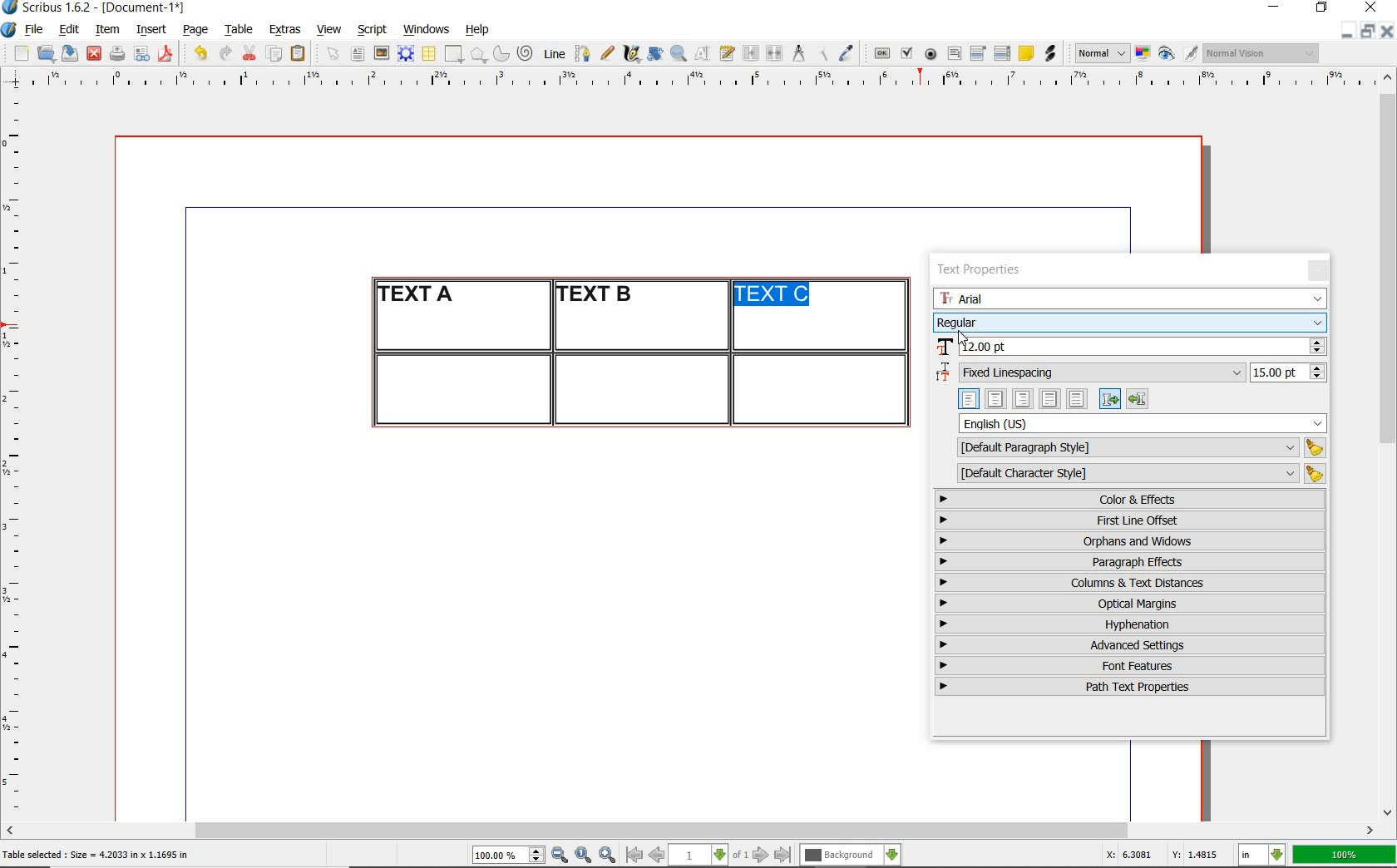 This screenshot has width=1397, height=868. What do you see at coordinates (476, 31) in the screenshot?
I see `help` at bounding box center [476, 31].